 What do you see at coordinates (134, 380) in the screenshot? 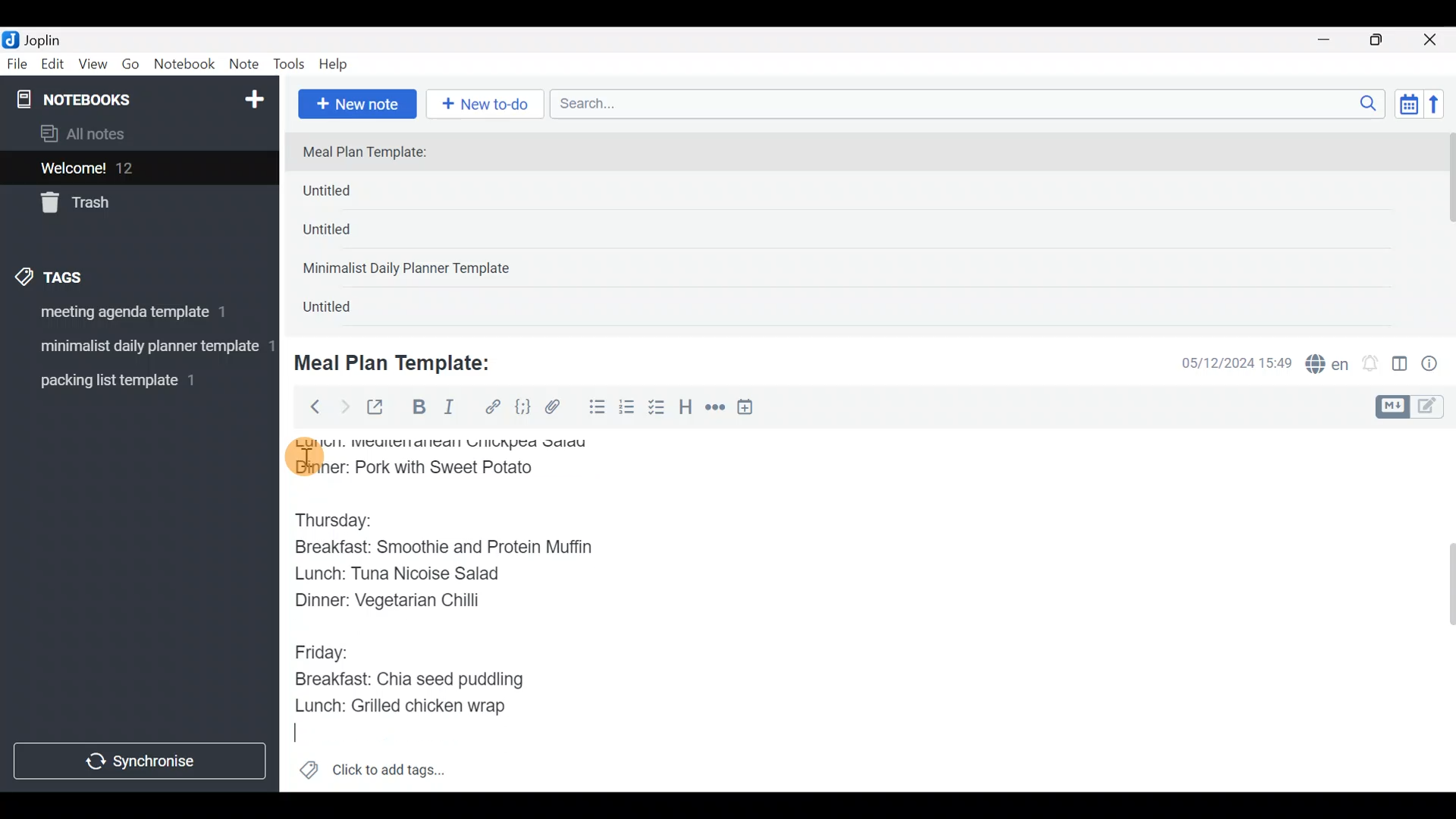
I see `Tag 3` at bounding box center [134, 380].